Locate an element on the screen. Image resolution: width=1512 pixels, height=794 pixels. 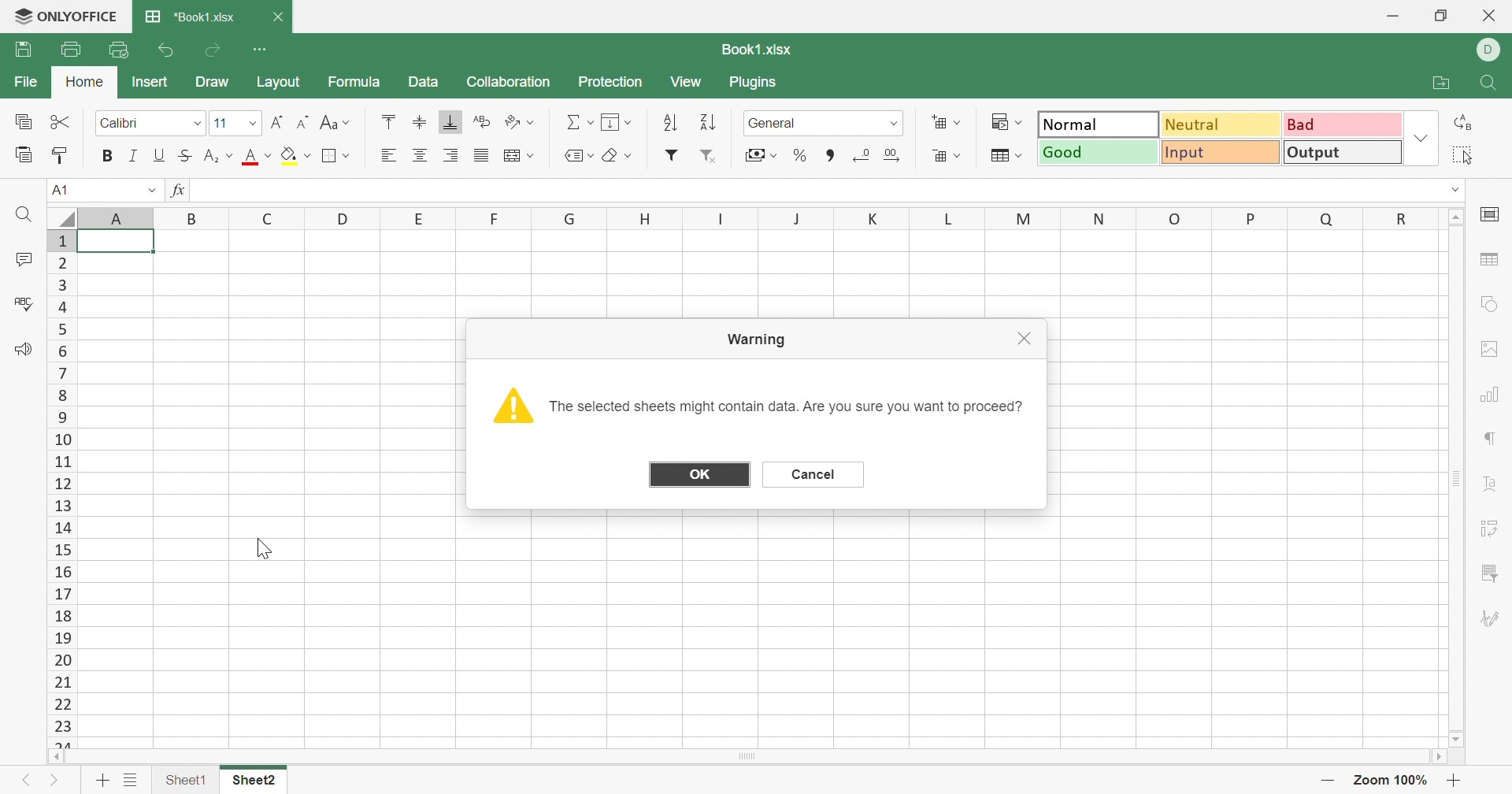
Find is located at coordinates (1492, 82).